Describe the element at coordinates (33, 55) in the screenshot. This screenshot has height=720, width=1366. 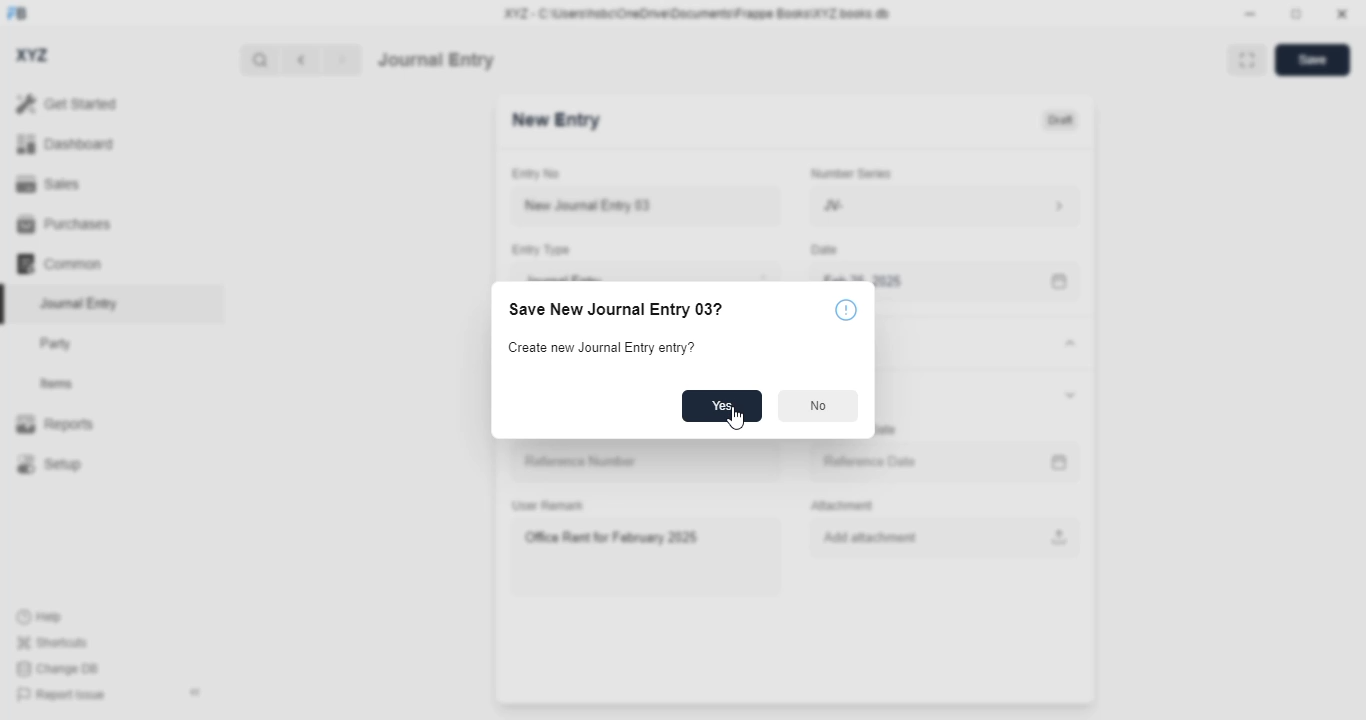
I see `XYZ` at that location.